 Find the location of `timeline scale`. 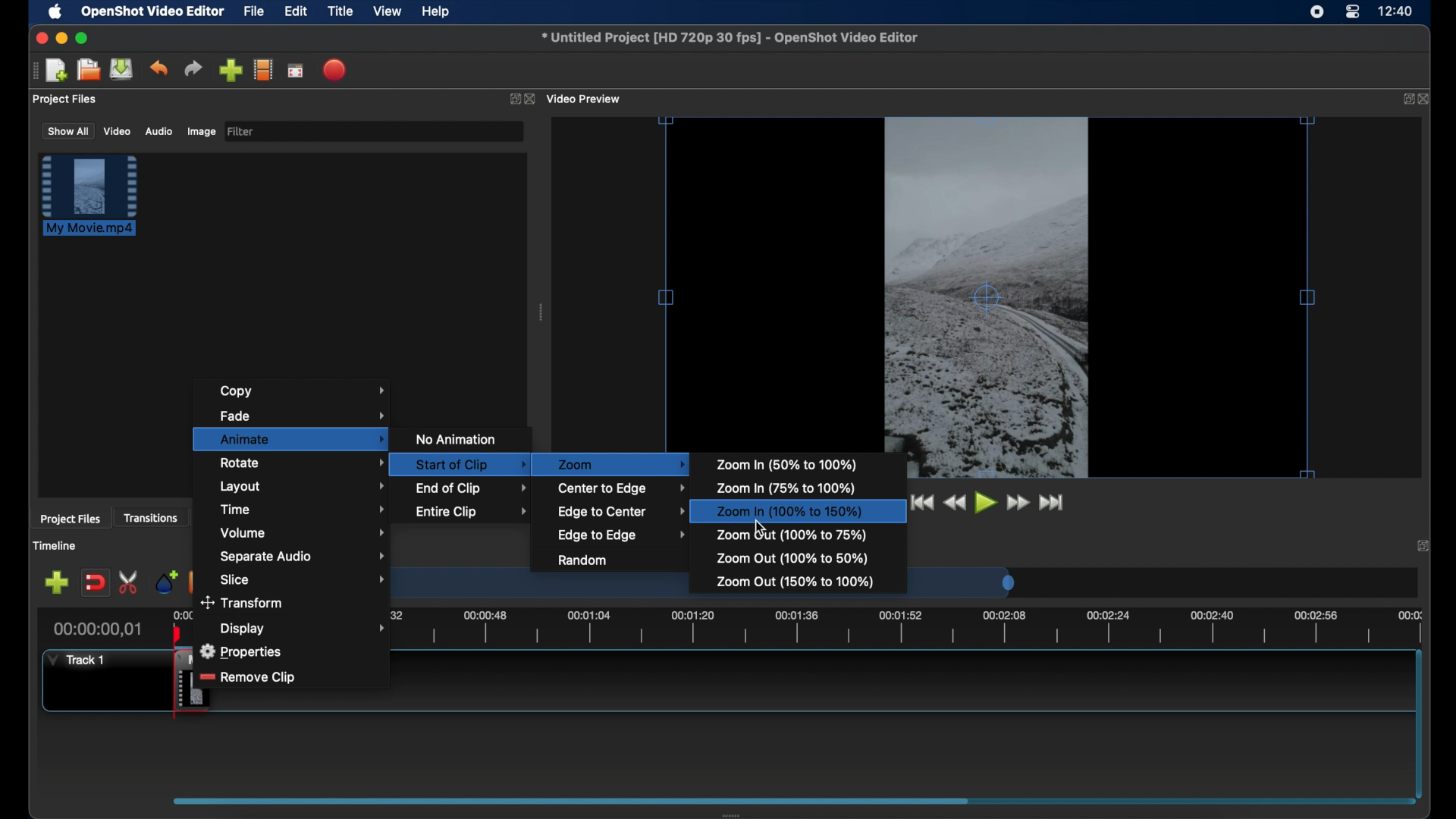

timeline scale is located at coordinates (541, 590).